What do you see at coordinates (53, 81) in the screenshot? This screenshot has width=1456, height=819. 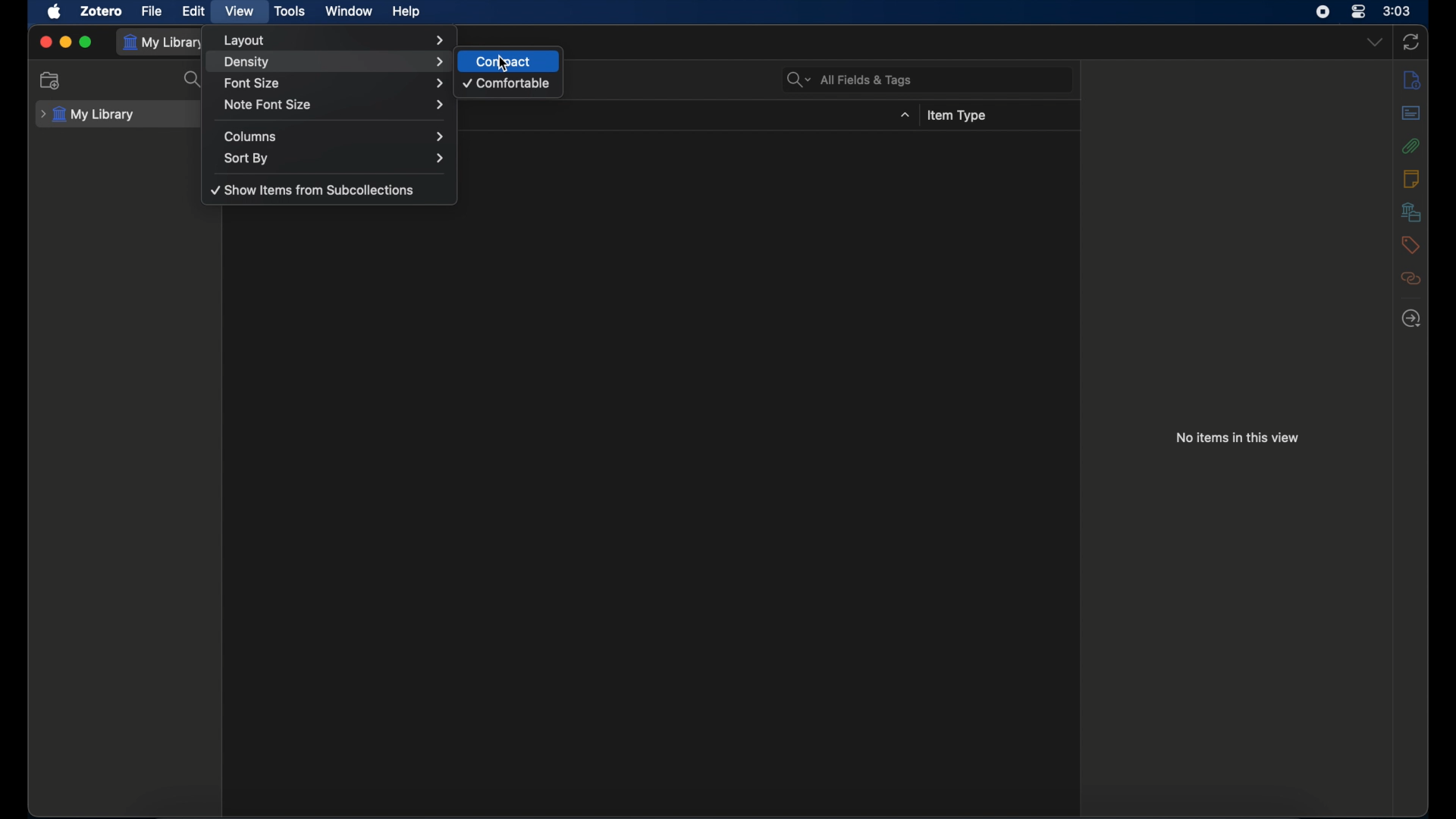 I see `new collection` at bounding box center [53, 81].